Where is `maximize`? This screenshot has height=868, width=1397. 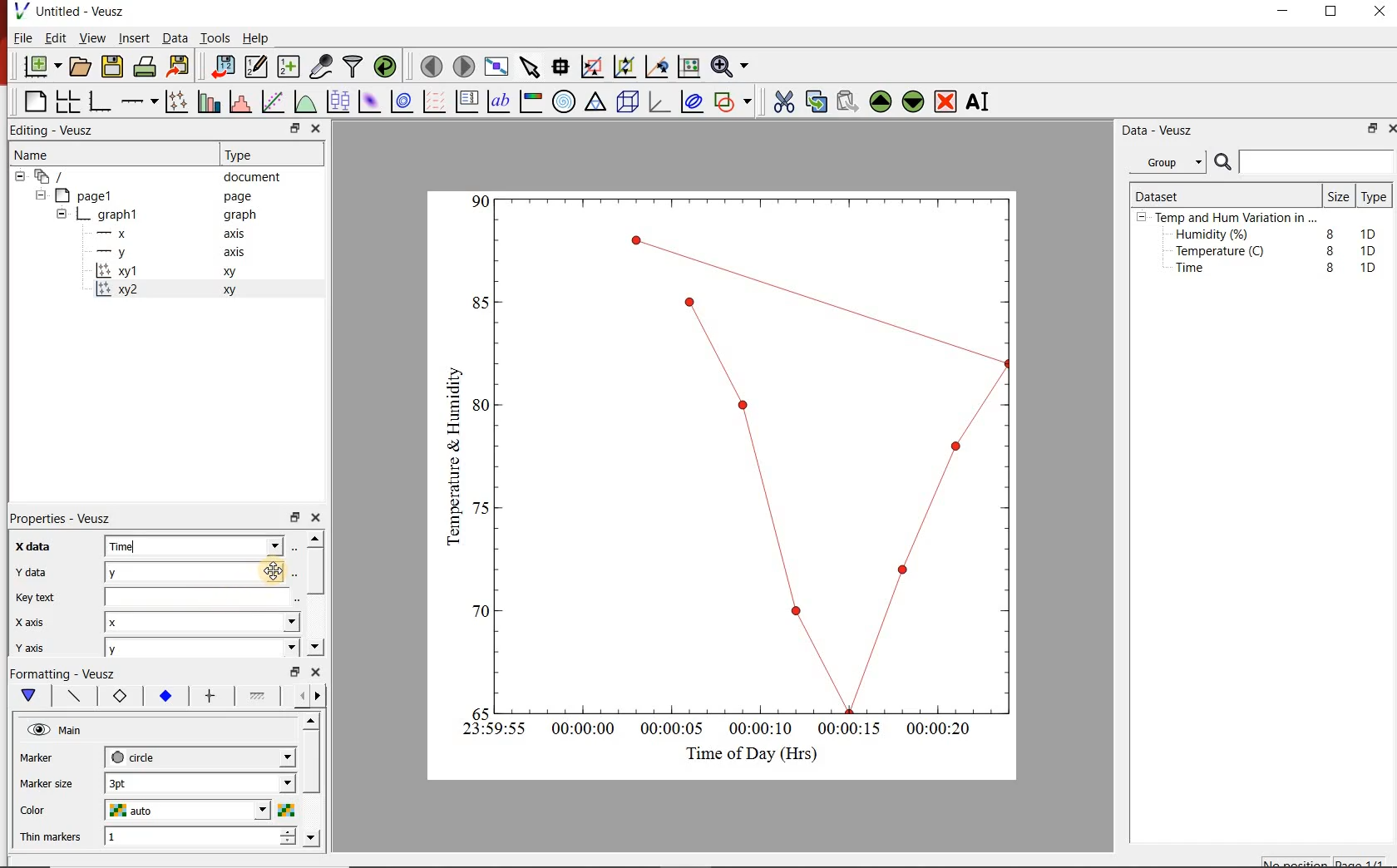
maximize is located at coordinates (1340, 12).